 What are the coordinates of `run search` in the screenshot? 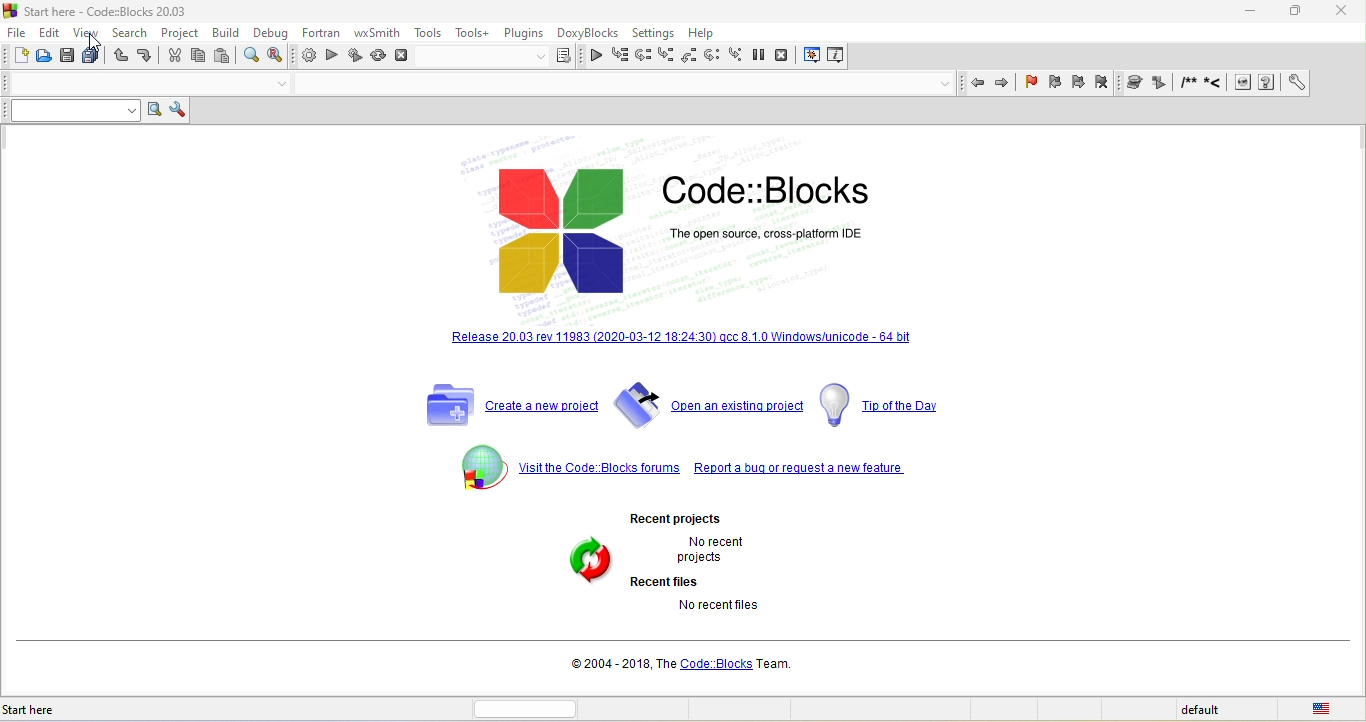 It's located at (156, 110).